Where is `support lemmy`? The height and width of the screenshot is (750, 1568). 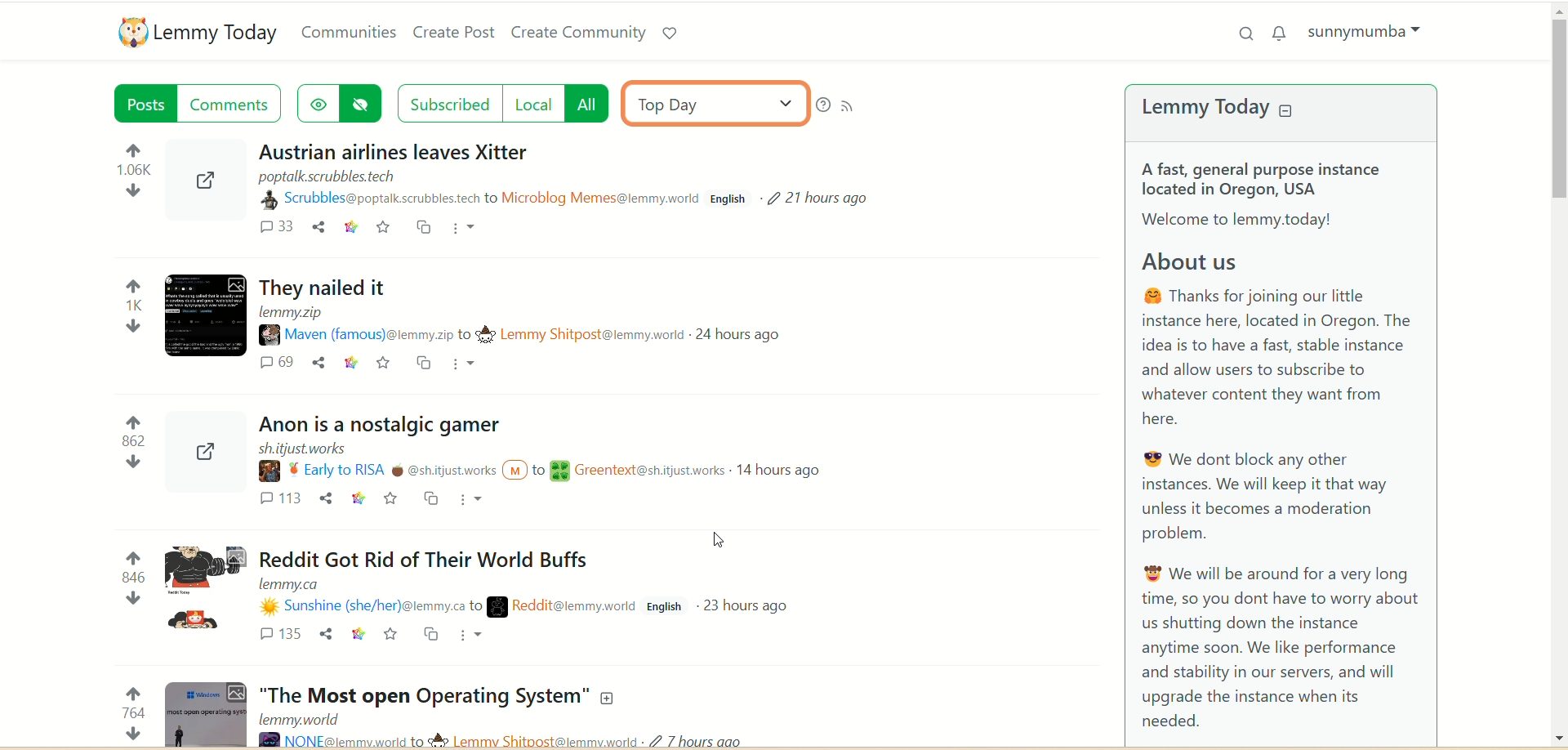
support lemmy is located at coordinates (669, 33).